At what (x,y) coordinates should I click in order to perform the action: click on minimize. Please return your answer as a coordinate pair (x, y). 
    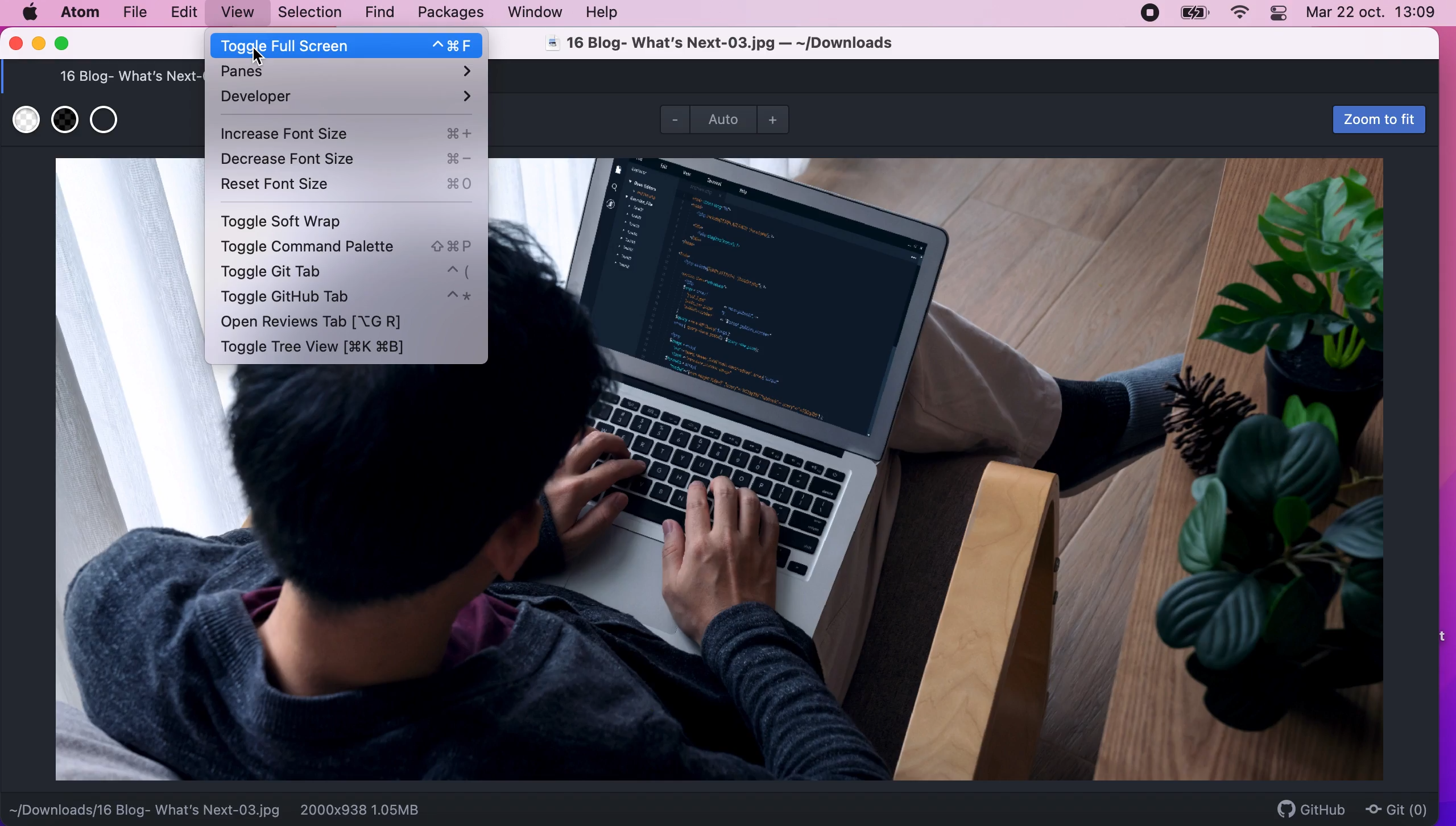
    Looking at the image, I should click on (39, 43).